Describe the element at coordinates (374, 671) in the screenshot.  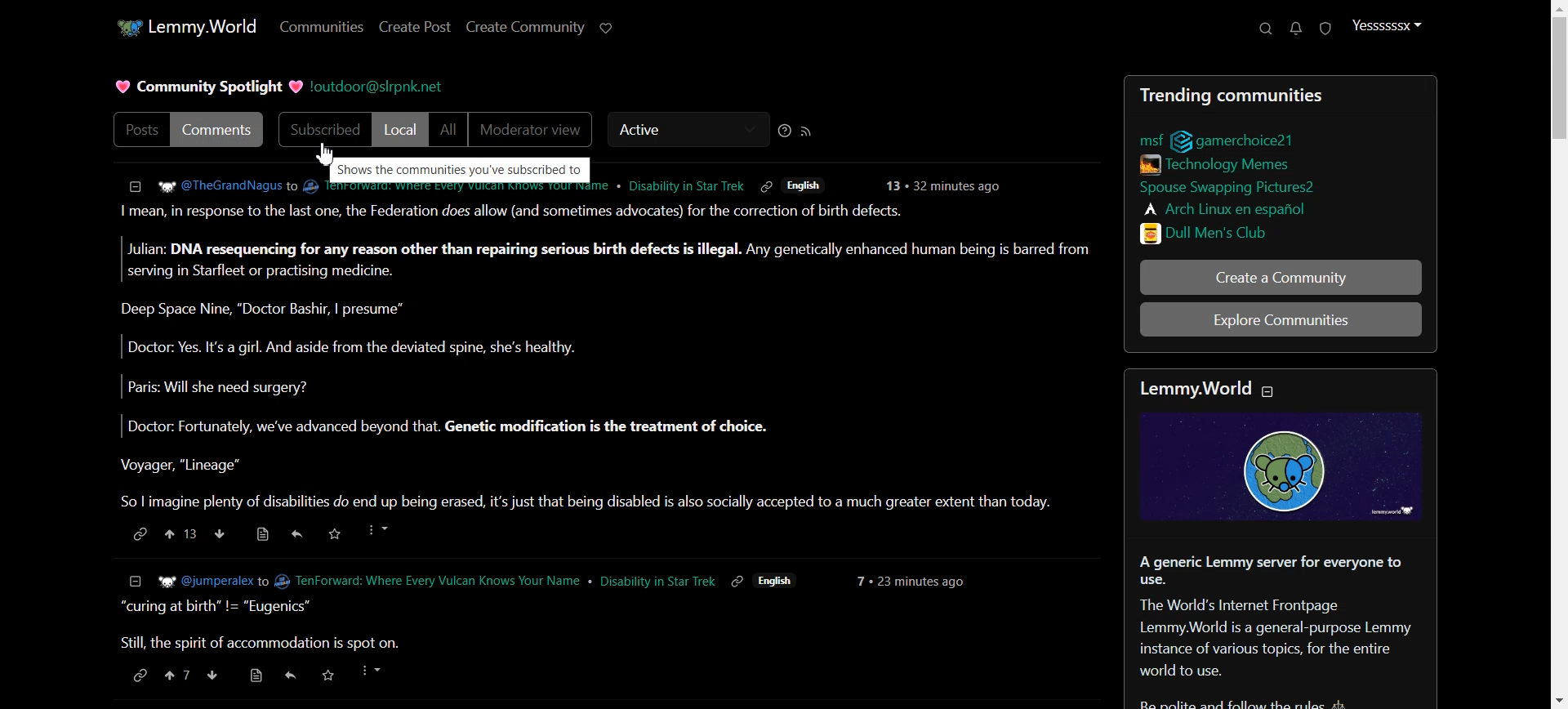
I see `more` at that location.